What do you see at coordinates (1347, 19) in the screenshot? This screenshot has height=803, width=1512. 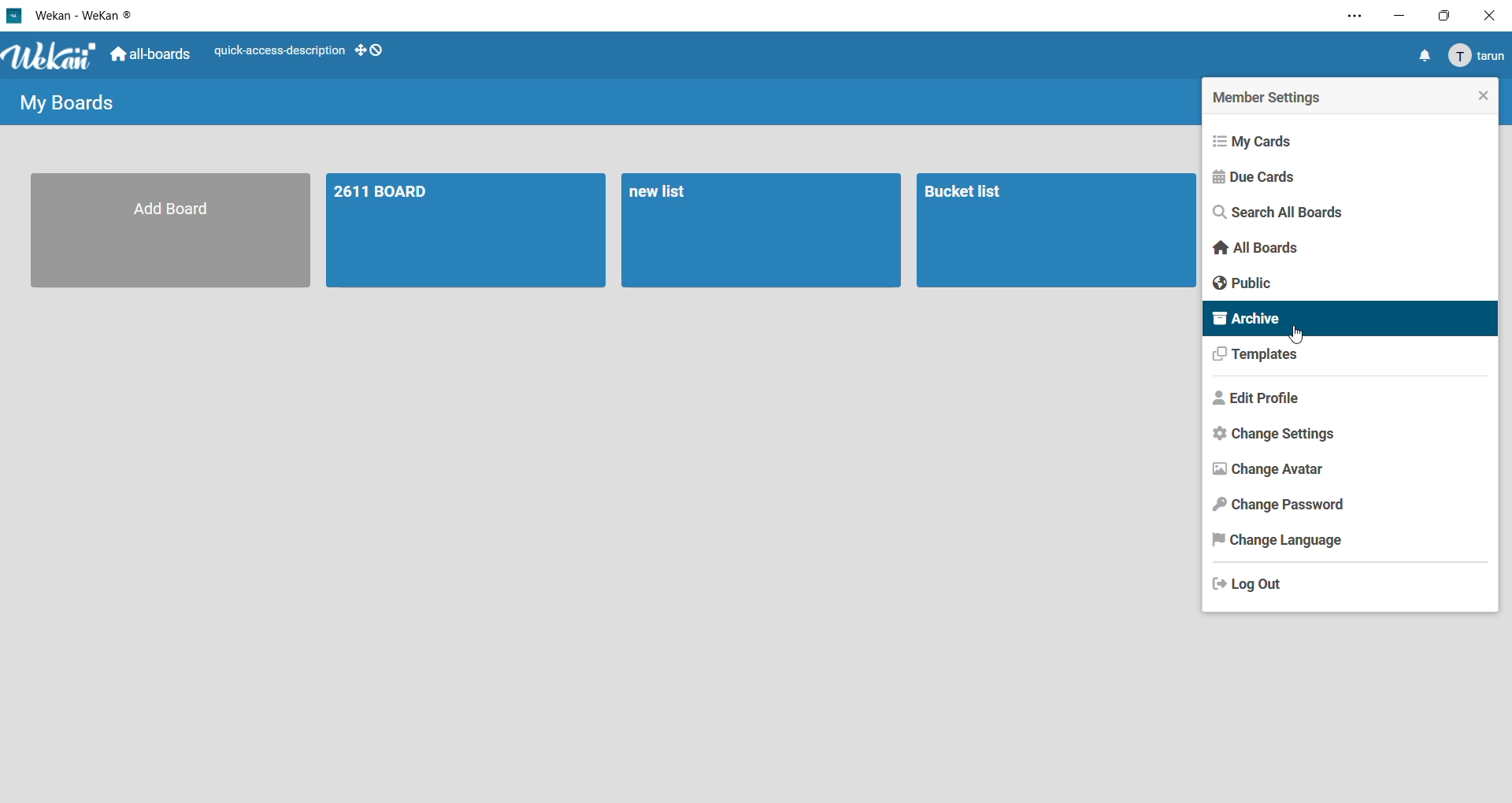 I see `options` at bounding box center [1347, 19].